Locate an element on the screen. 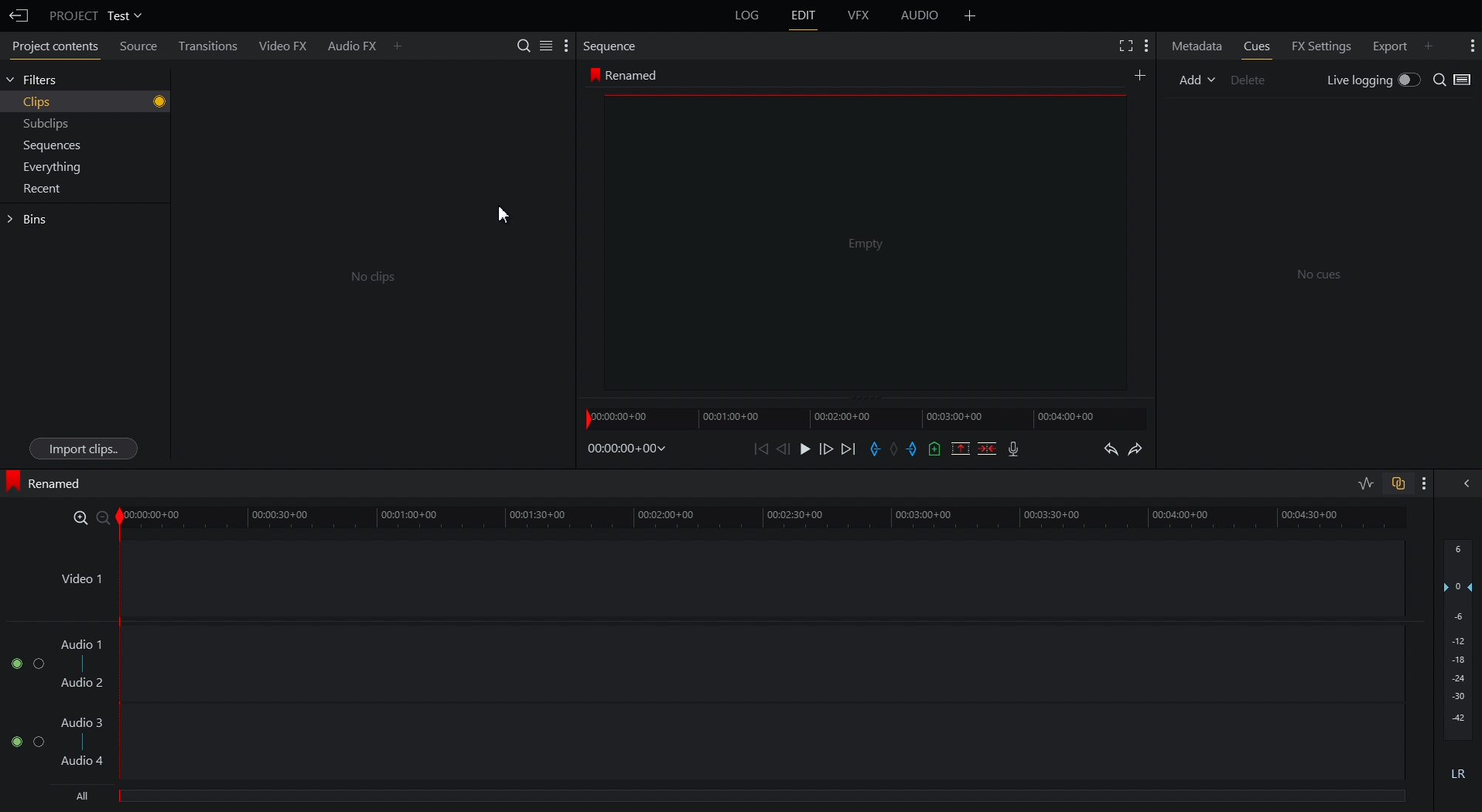 The image size is (1482, 812). Search is located at coordinates (1441, 79).